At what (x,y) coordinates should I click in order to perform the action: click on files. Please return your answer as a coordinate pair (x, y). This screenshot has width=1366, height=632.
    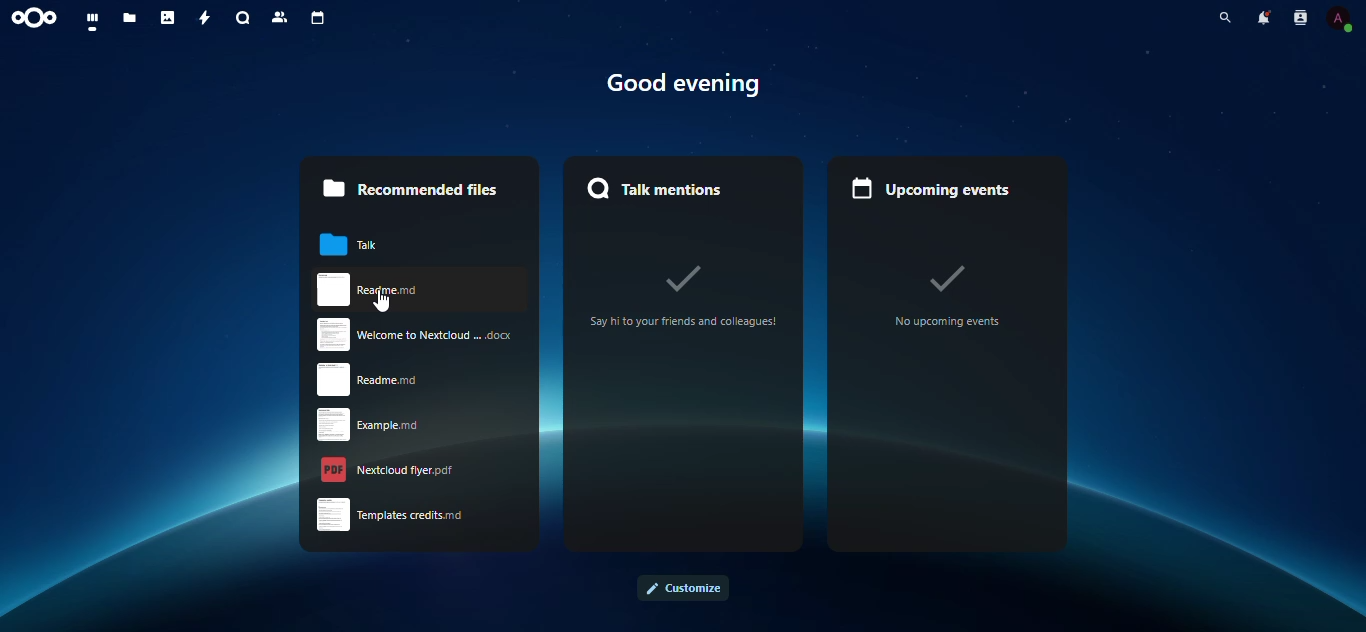
    Looking at the image, I should click on (130, 17).